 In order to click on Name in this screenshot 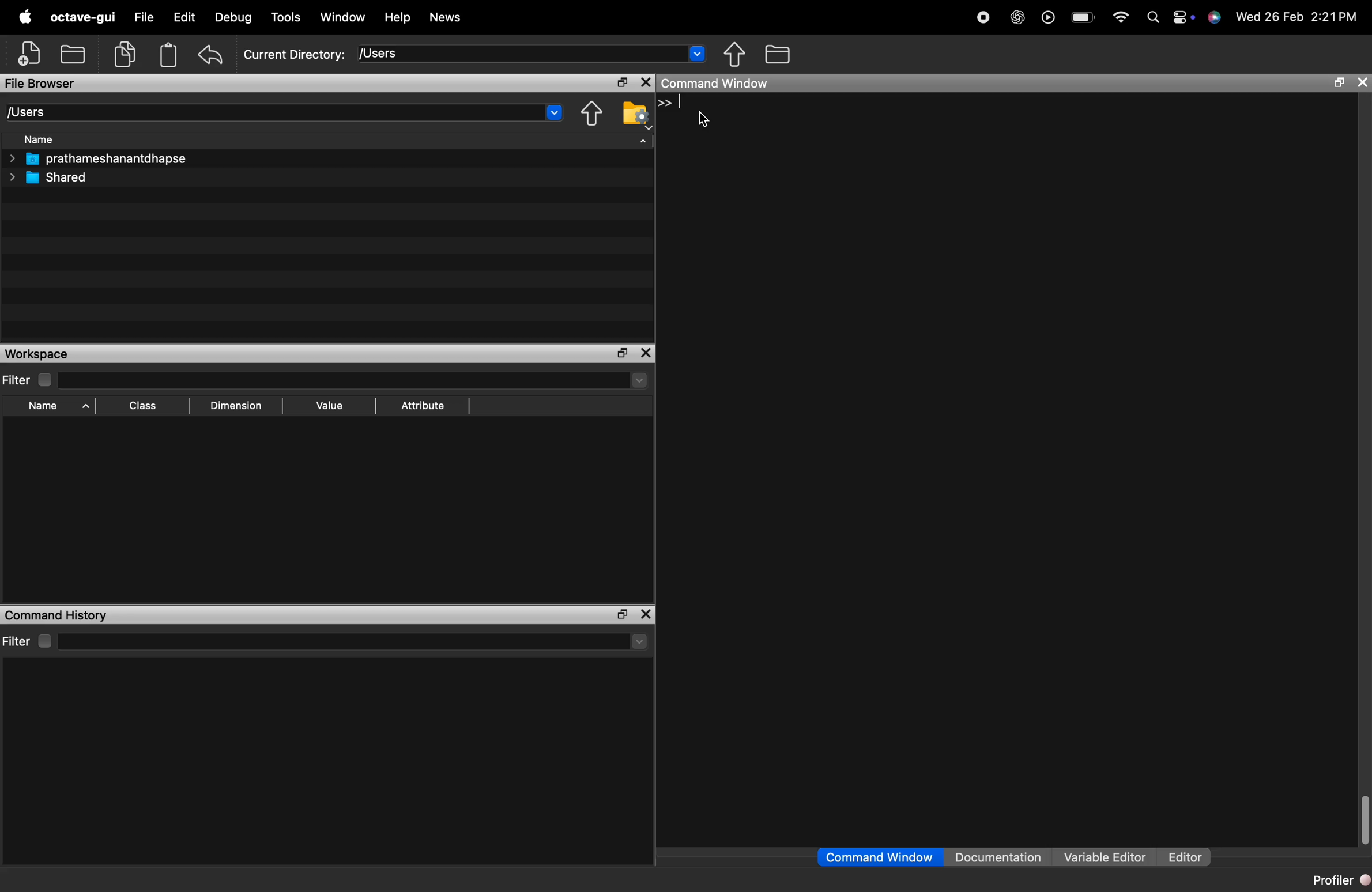, I will do `click(37, 139)`.